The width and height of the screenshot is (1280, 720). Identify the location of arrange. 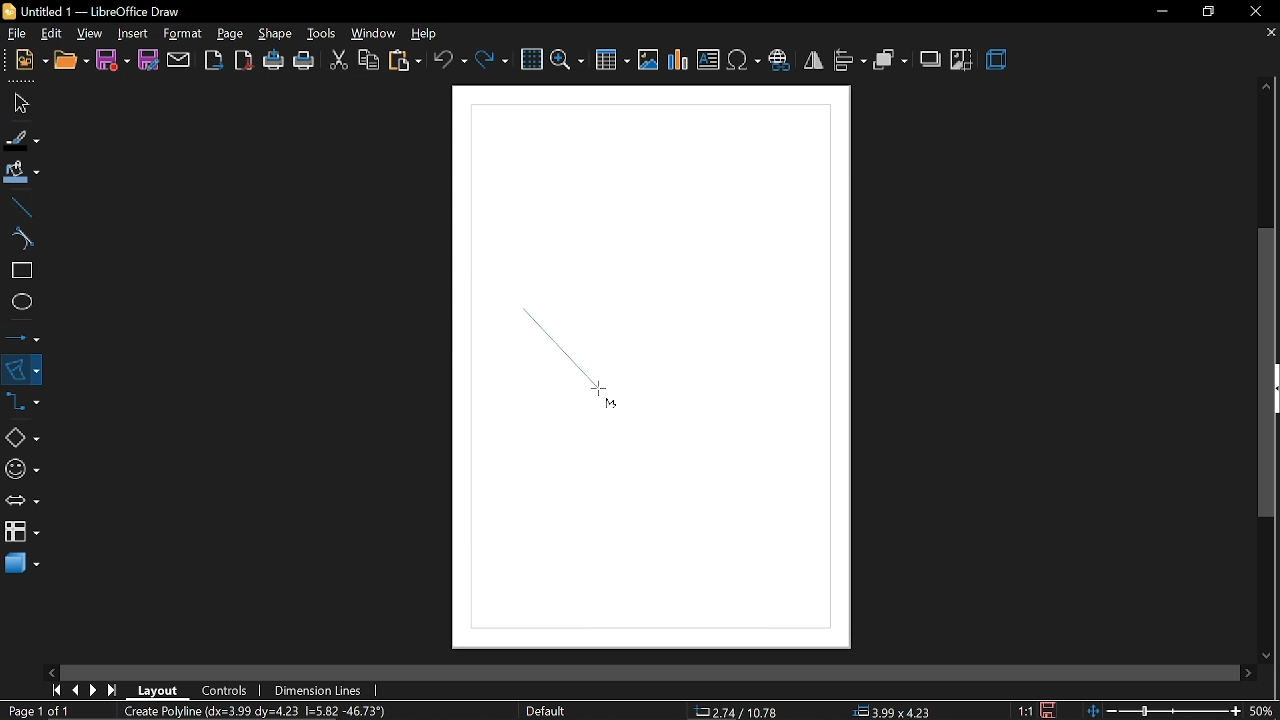
(890, 59).